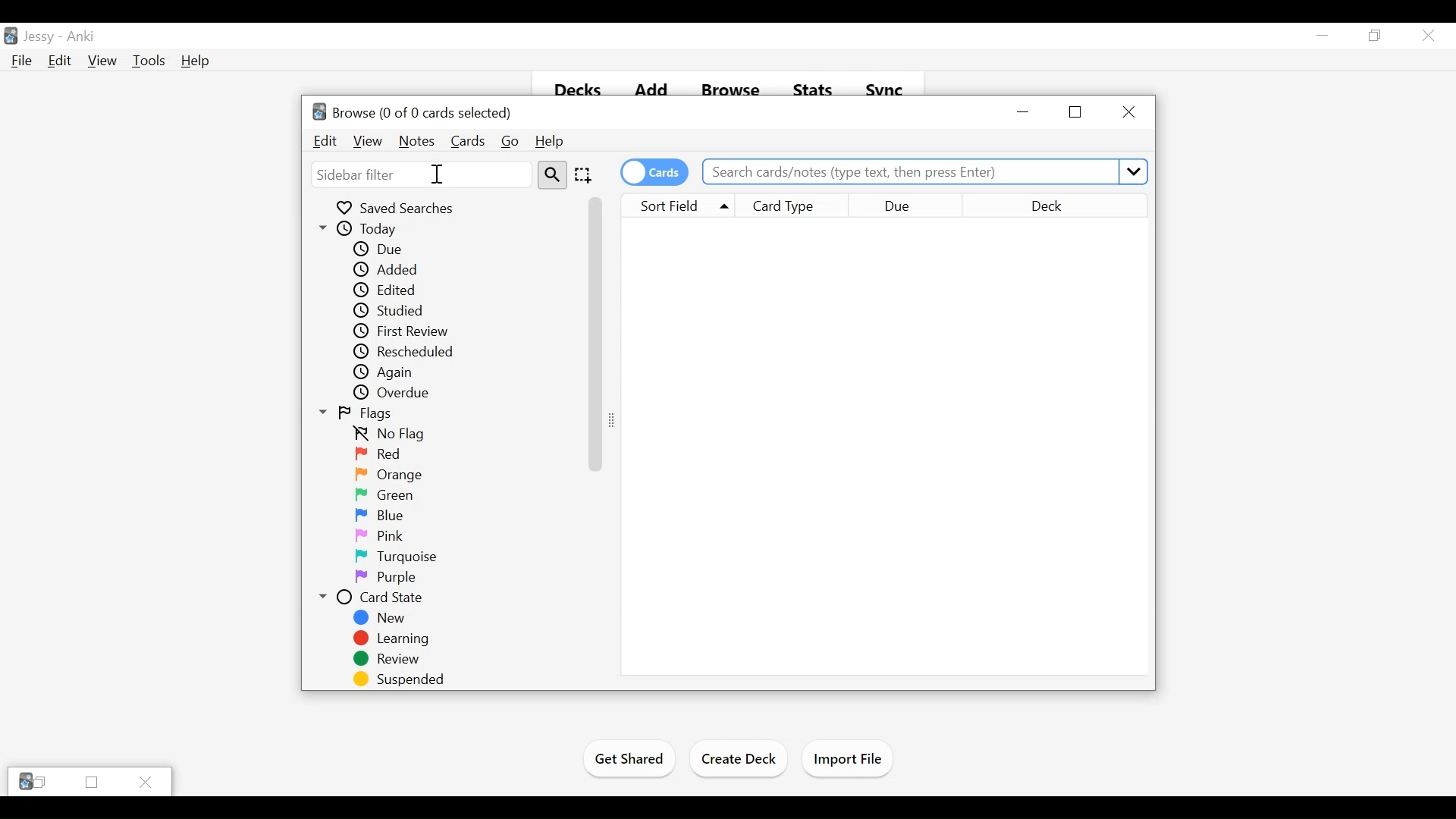 The width and height of the screenshot is (1456, 819). What do you see at coordinates (466, 142) in the screenshot?
I see `Cards` at bounding box center [466, 142].